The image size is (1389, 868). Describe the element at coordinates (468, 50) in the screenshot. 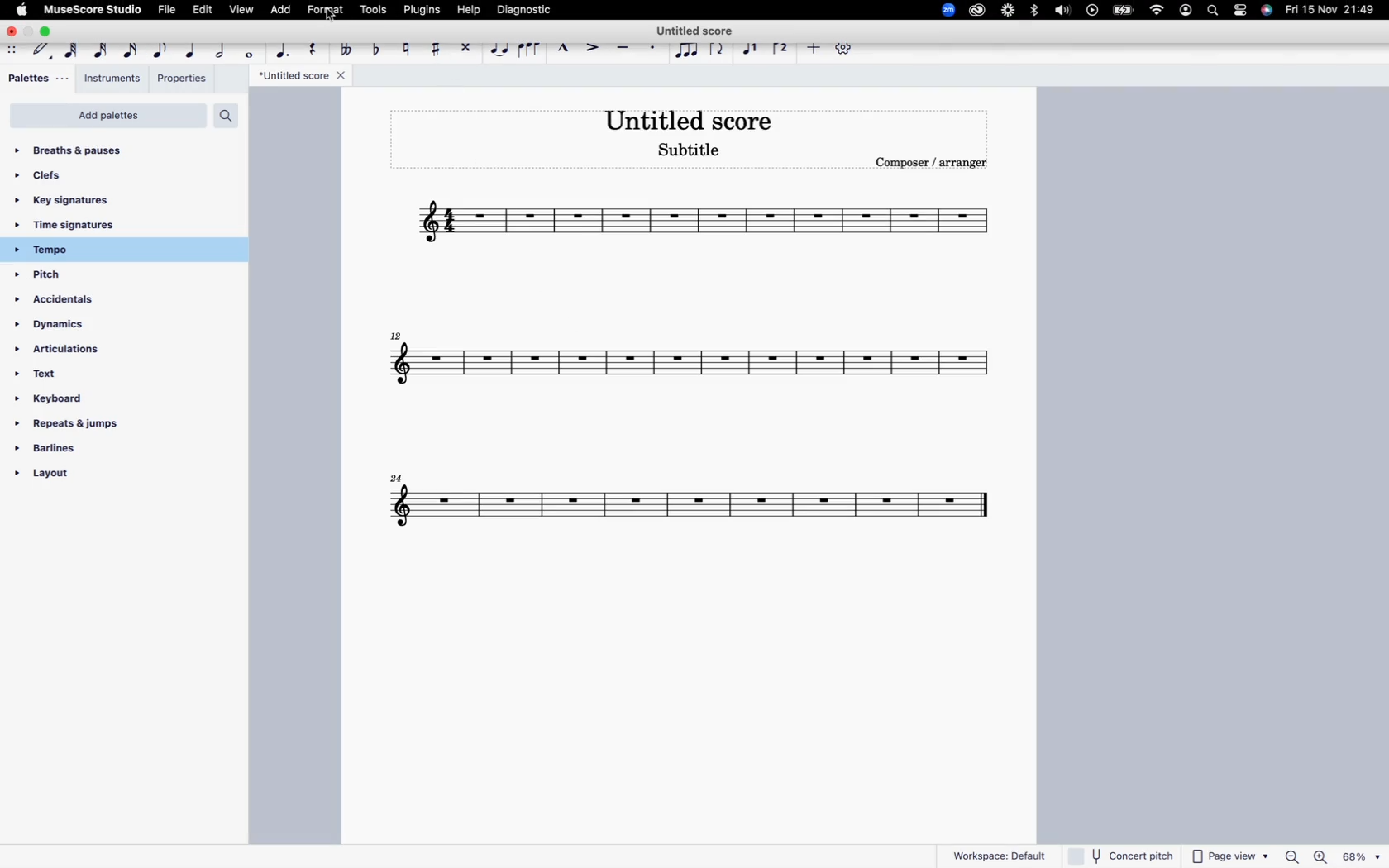

I see `toggle double sharp` at that location.